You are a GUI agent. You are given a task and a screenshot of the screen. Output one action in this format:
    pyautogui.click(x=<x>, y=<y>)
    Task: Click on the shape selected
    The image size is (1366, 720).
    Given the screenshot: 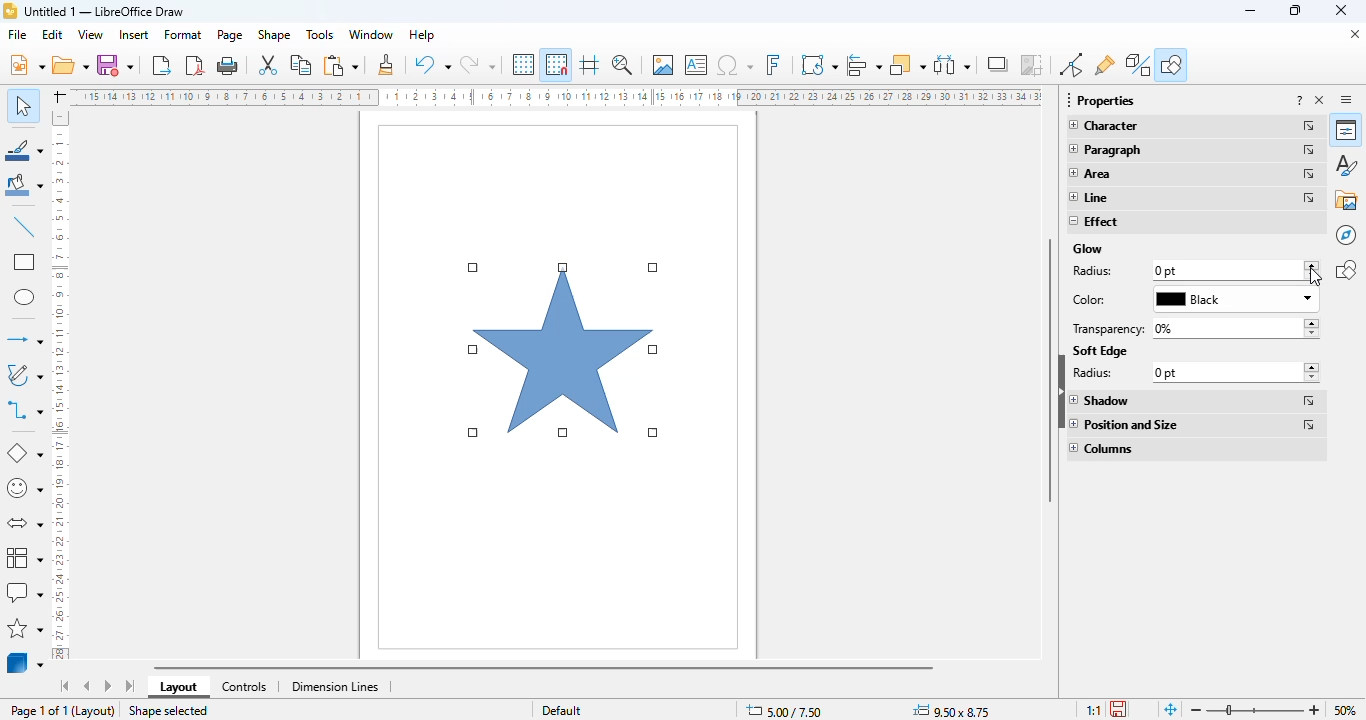 What is the action you would take?
    pyautogui.click(x=169, y=710)
    